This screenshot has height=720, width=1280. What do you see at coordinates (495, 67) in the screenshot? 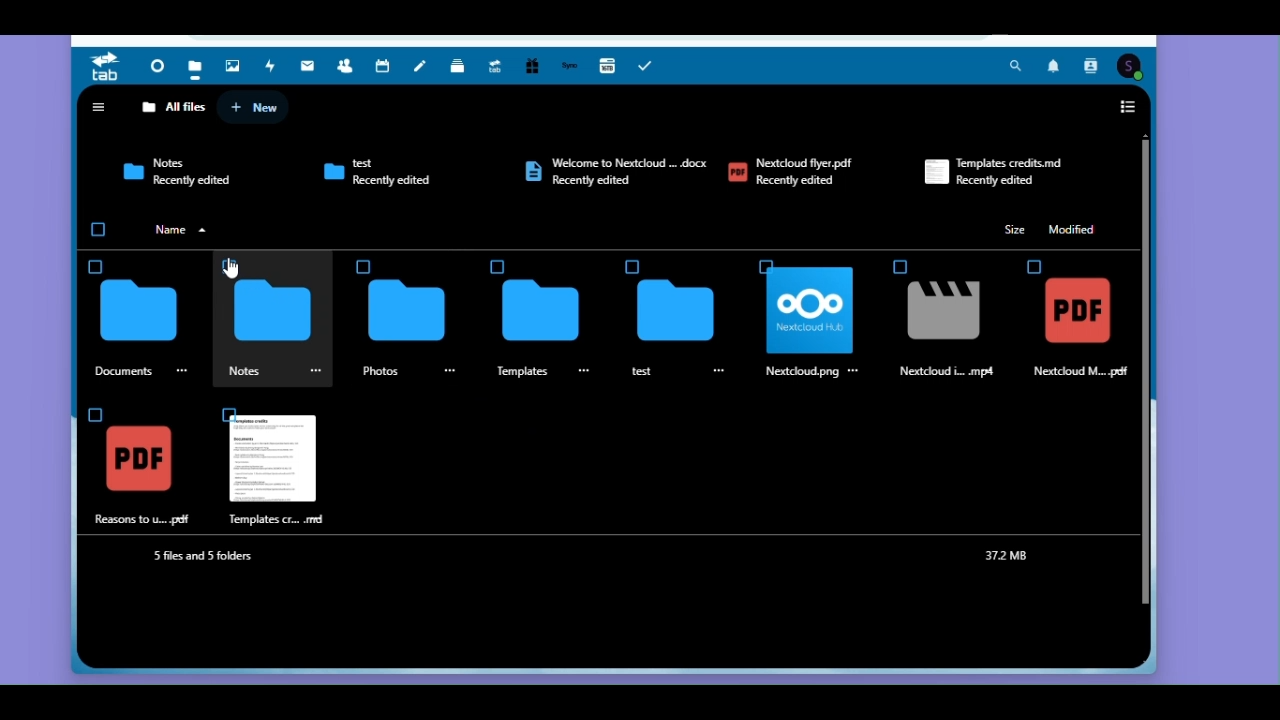
I see `Upgrade` at bounding box center [495, 67].